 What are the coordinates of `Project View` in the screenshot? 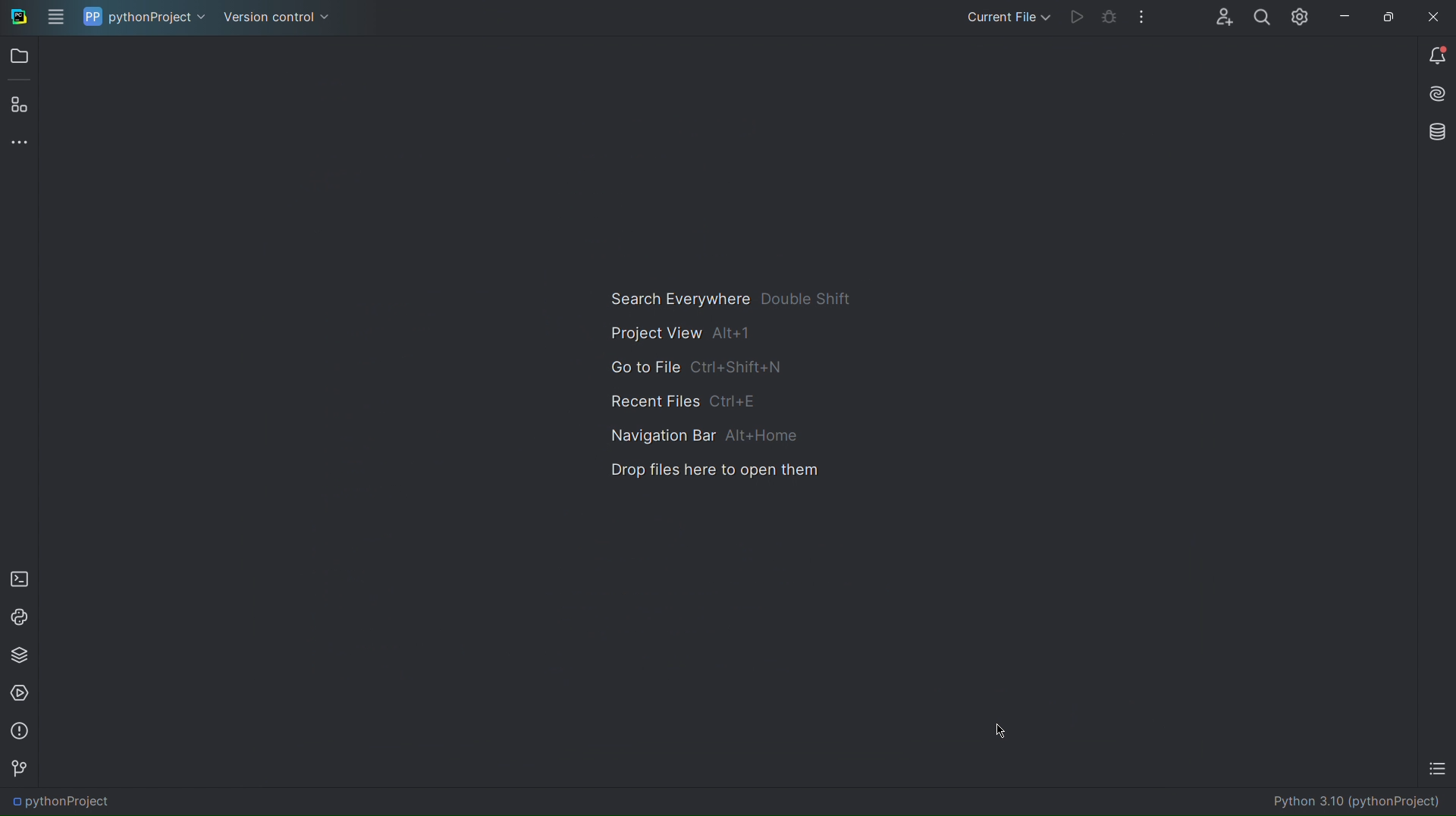 It's located at (676, 332).